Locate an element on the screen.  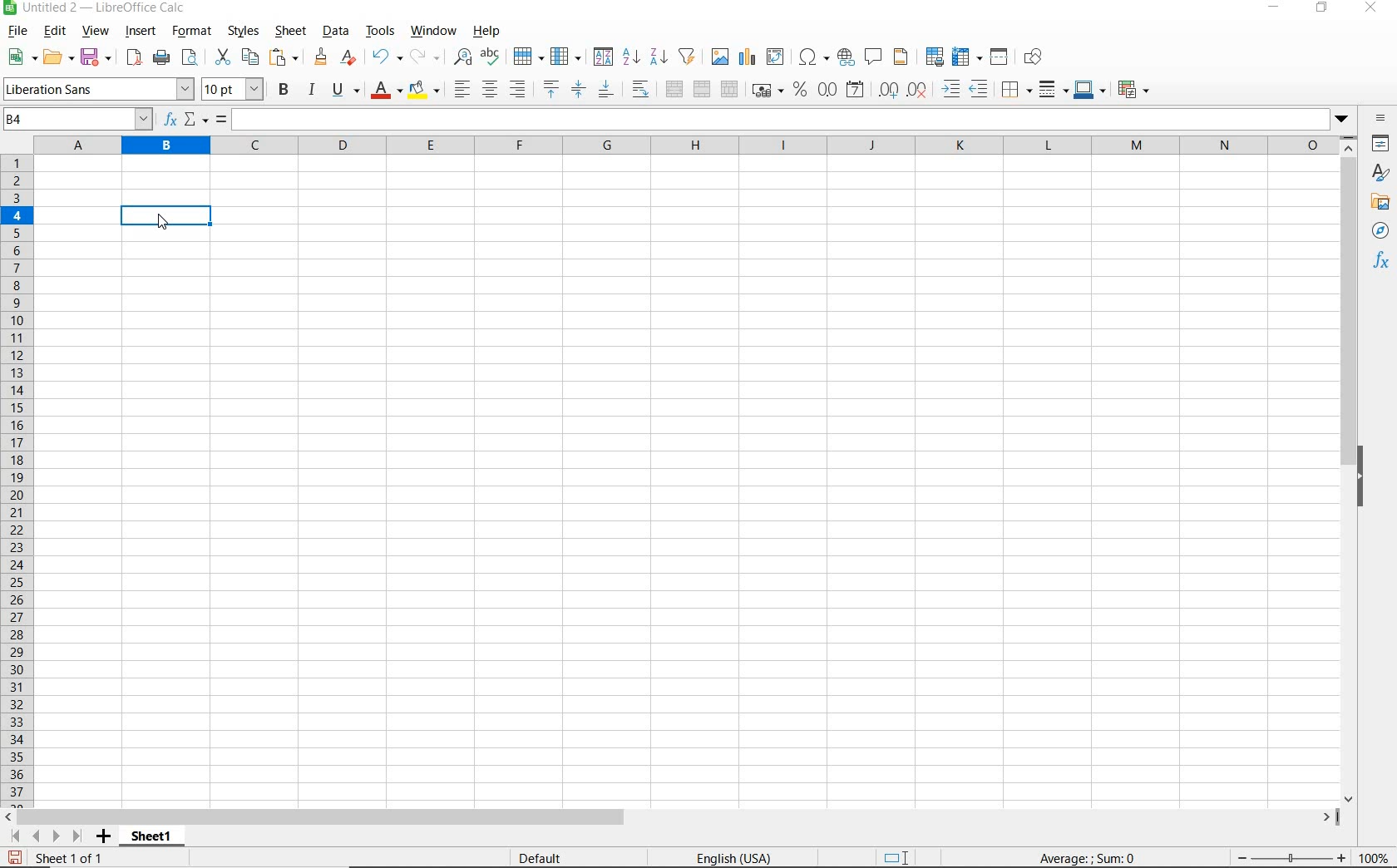
bold is located at coordinates (284, 91).